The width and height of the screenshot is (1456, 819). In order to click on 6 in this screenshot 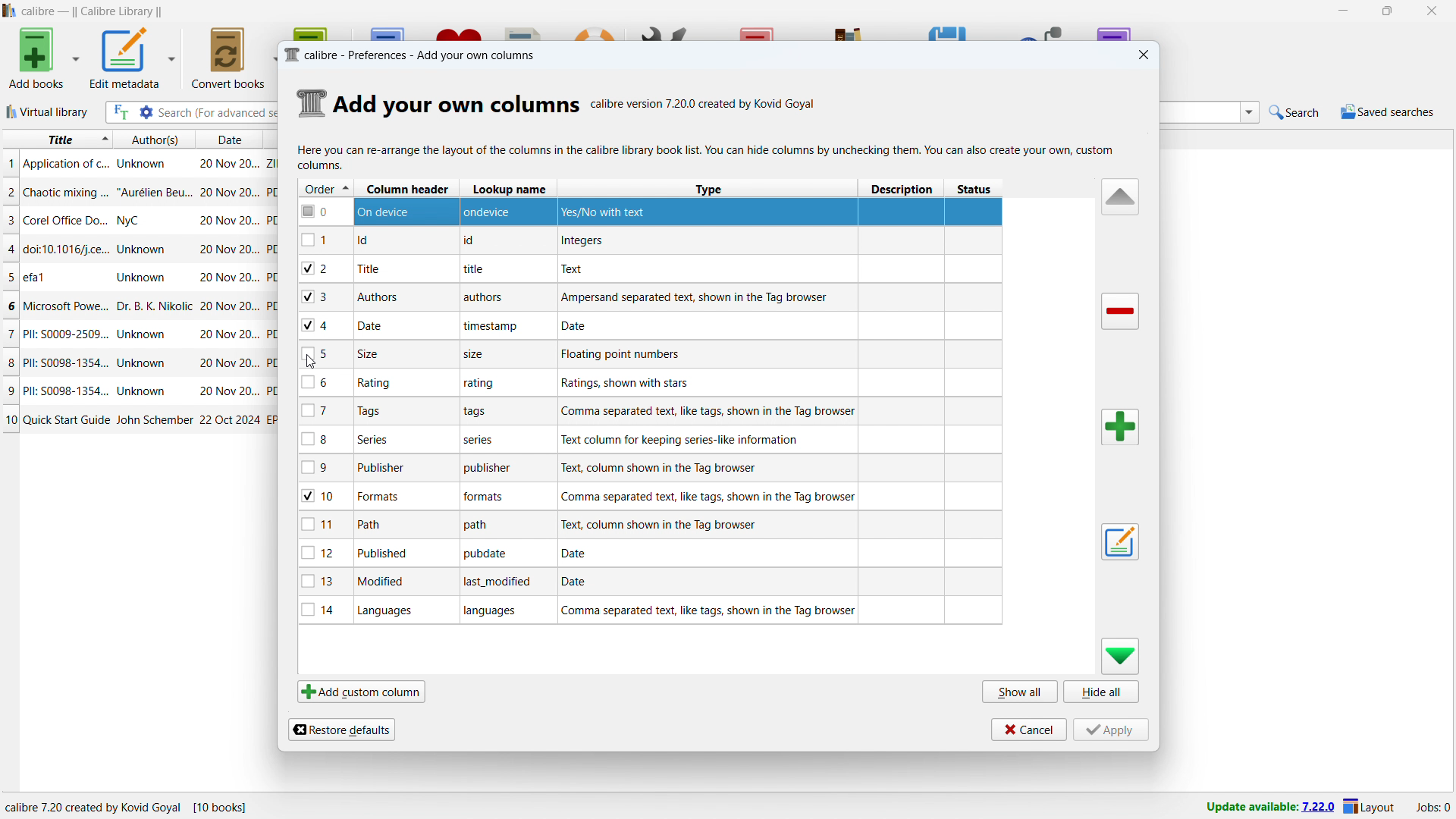, I will do `click(9, 306)`.